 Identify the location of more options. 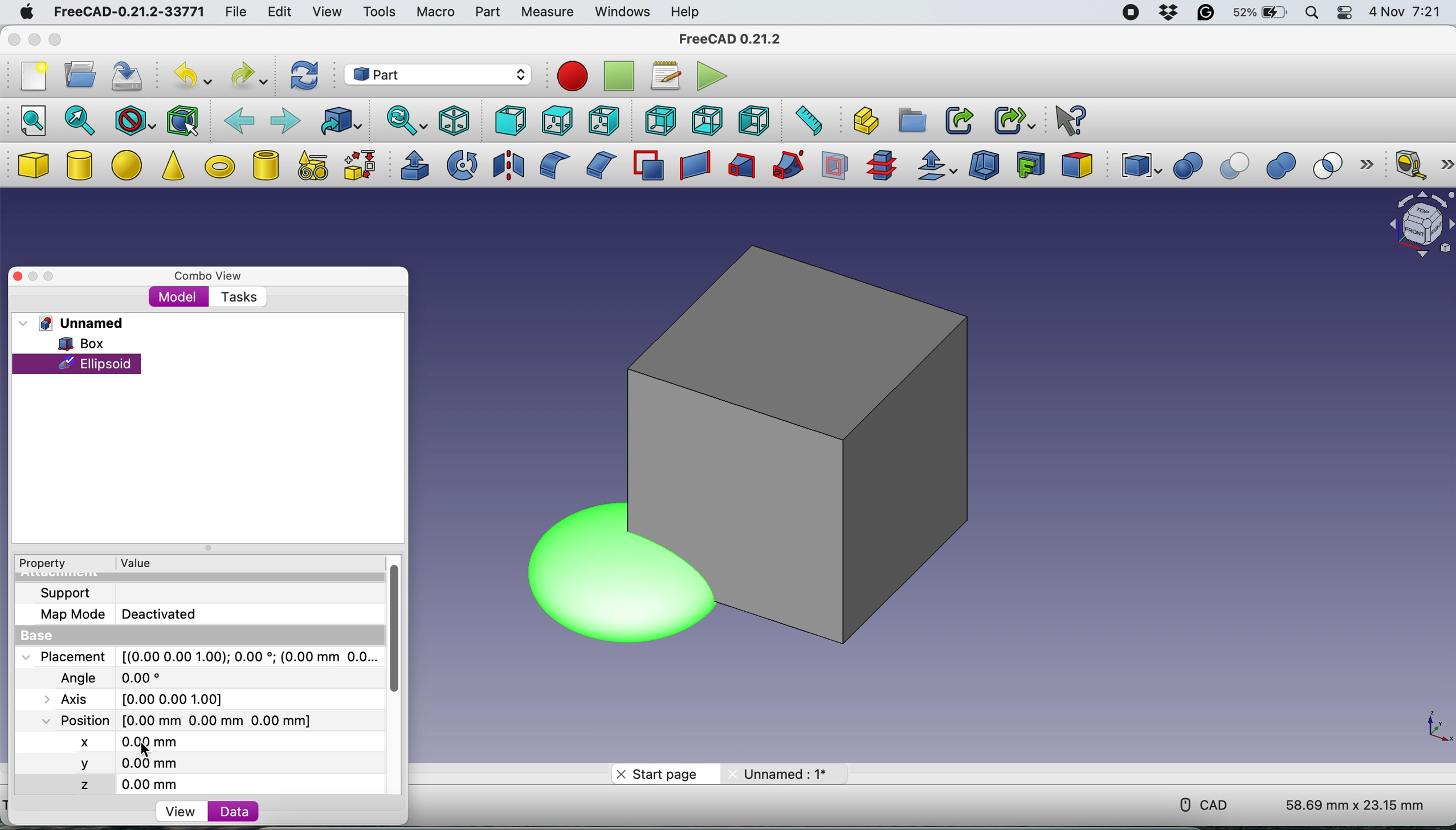
(1445, 162).